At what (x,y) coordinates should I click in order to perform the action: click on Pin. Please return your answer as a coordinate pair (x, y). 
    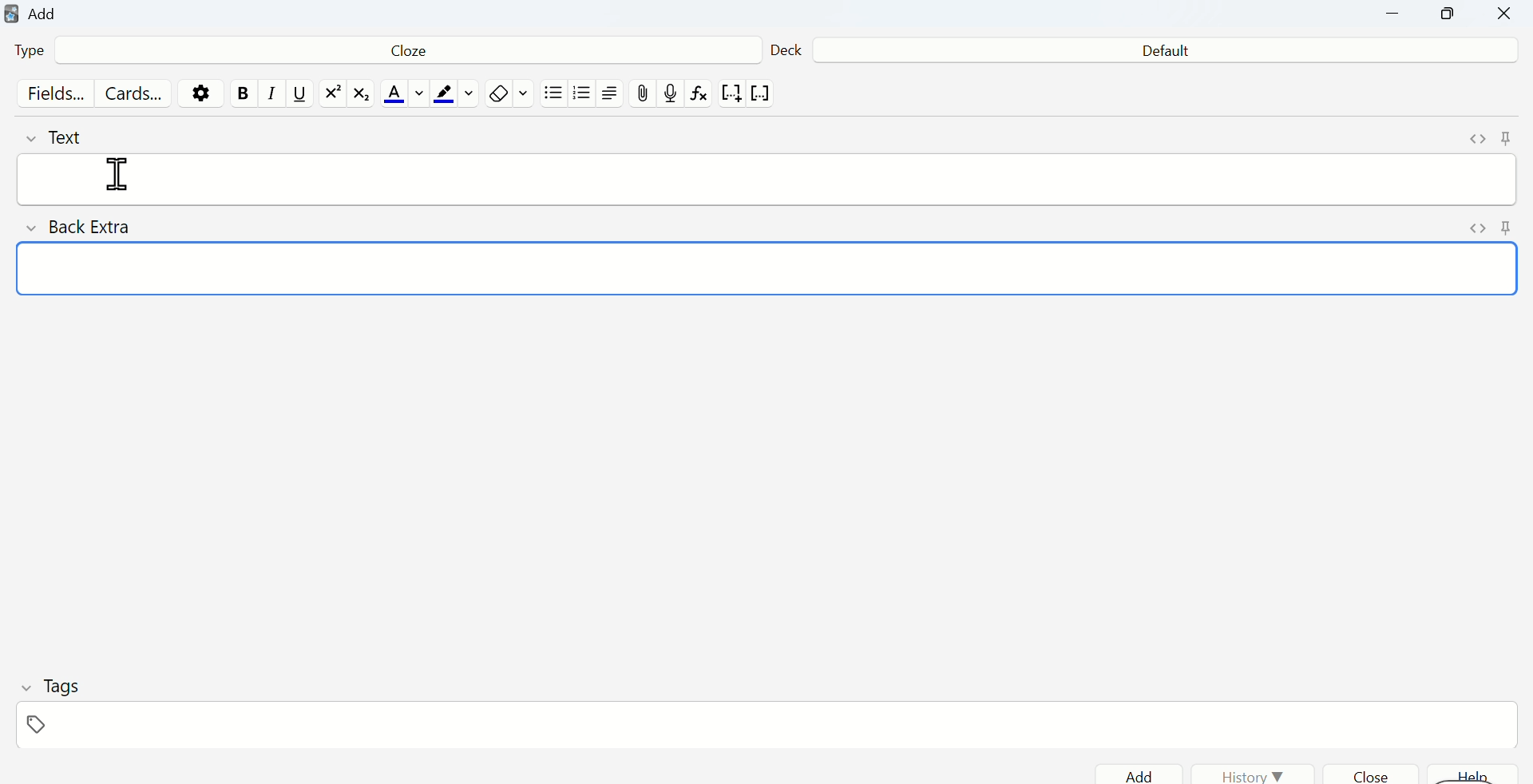
    Looking at the image, I should click on (1504, 138).